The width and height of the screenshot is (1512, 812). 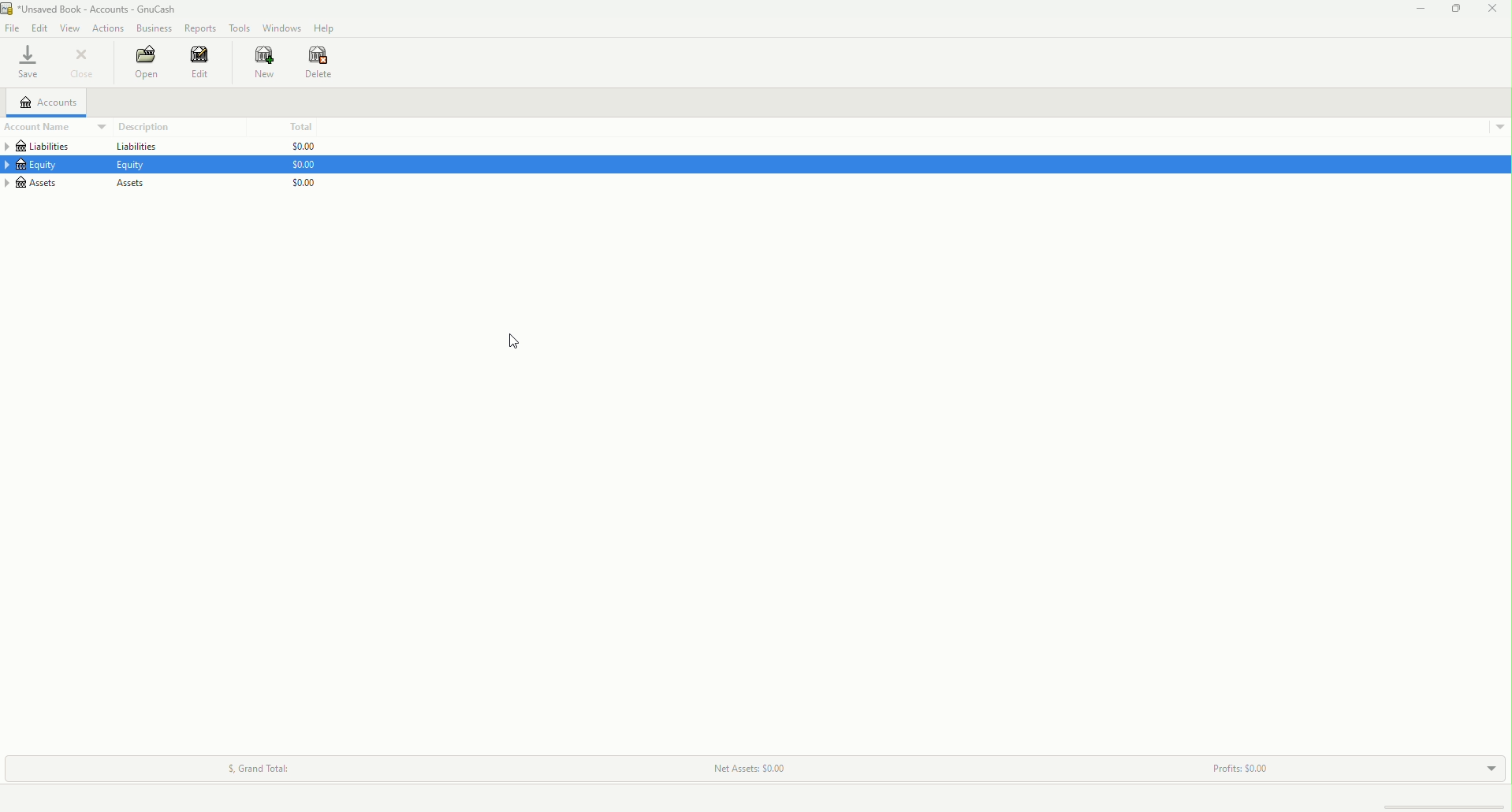 I want to click on Accounts, so click(x=48, y=102).